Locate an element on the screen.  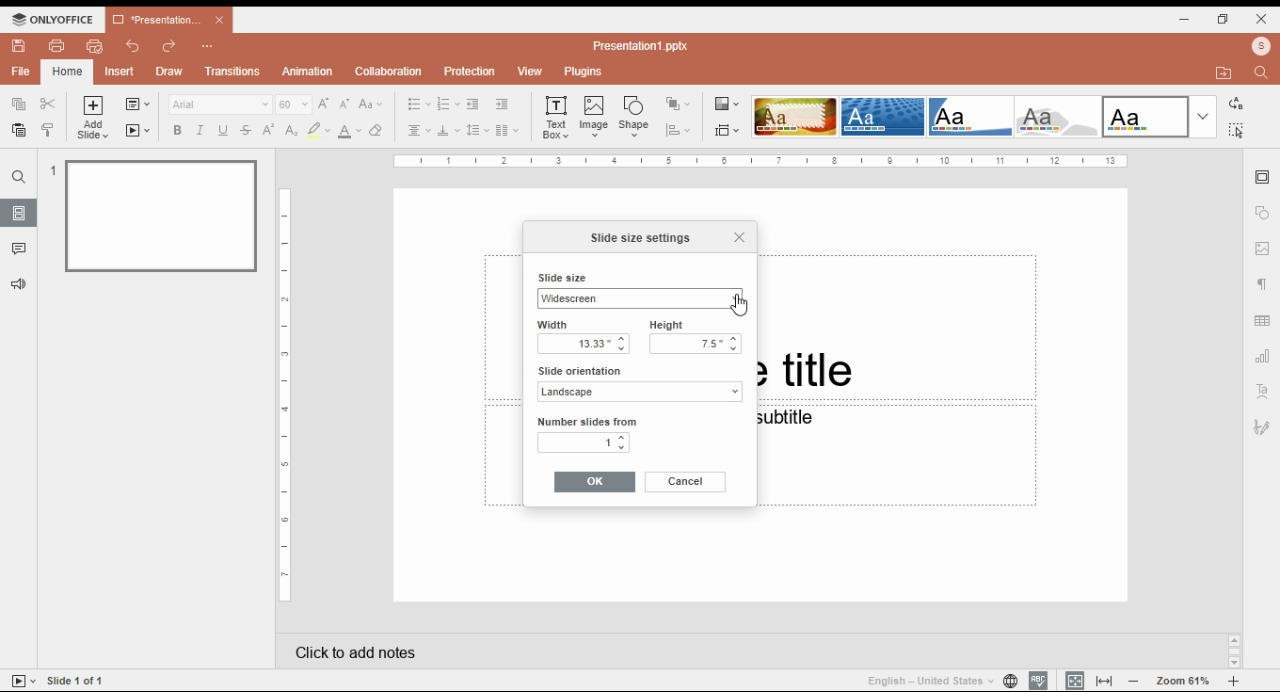
zoom in/zoom out is located at coordinates (1234, 681).